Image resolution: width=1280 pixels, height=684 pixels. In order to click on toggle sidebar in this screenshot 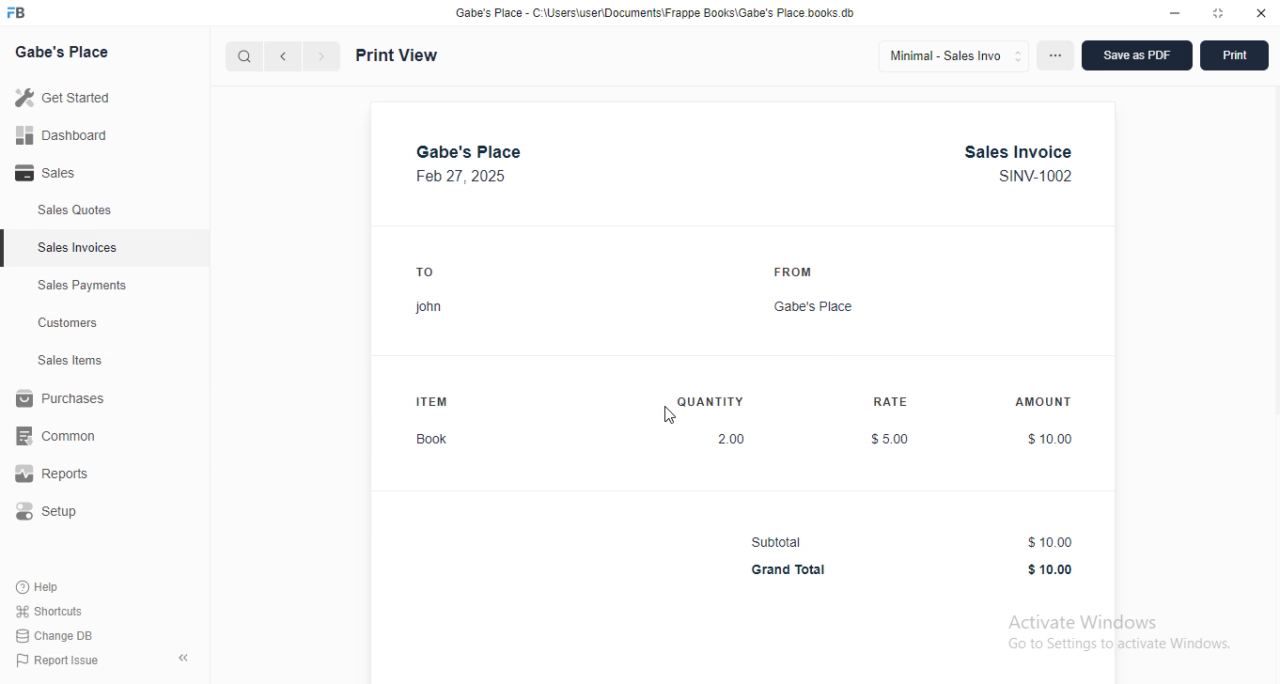, I will do `click(185, 657)`.